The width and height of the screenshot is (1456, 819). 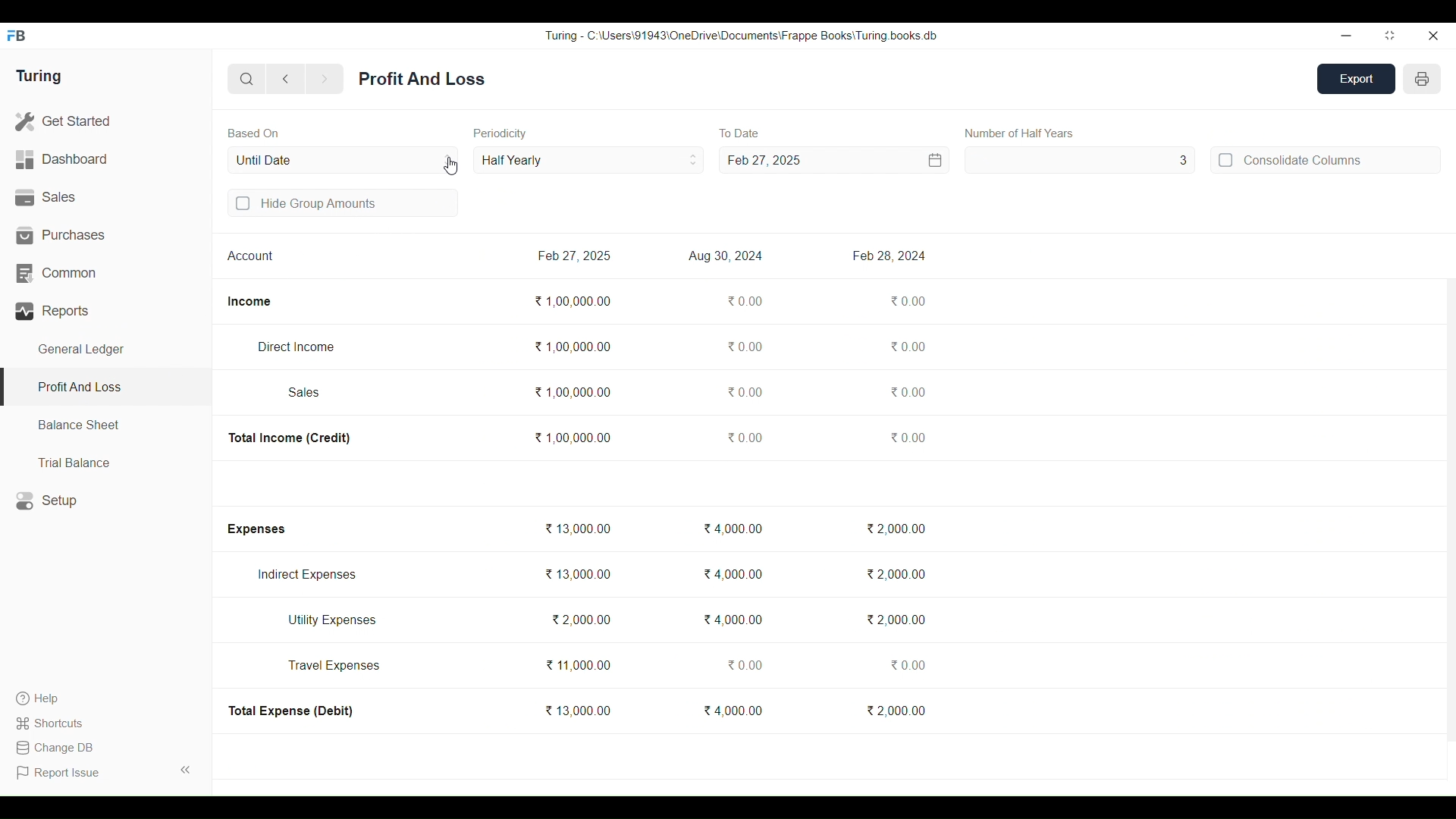 I want to click on 11,000.00, so click(x=577, y=665).